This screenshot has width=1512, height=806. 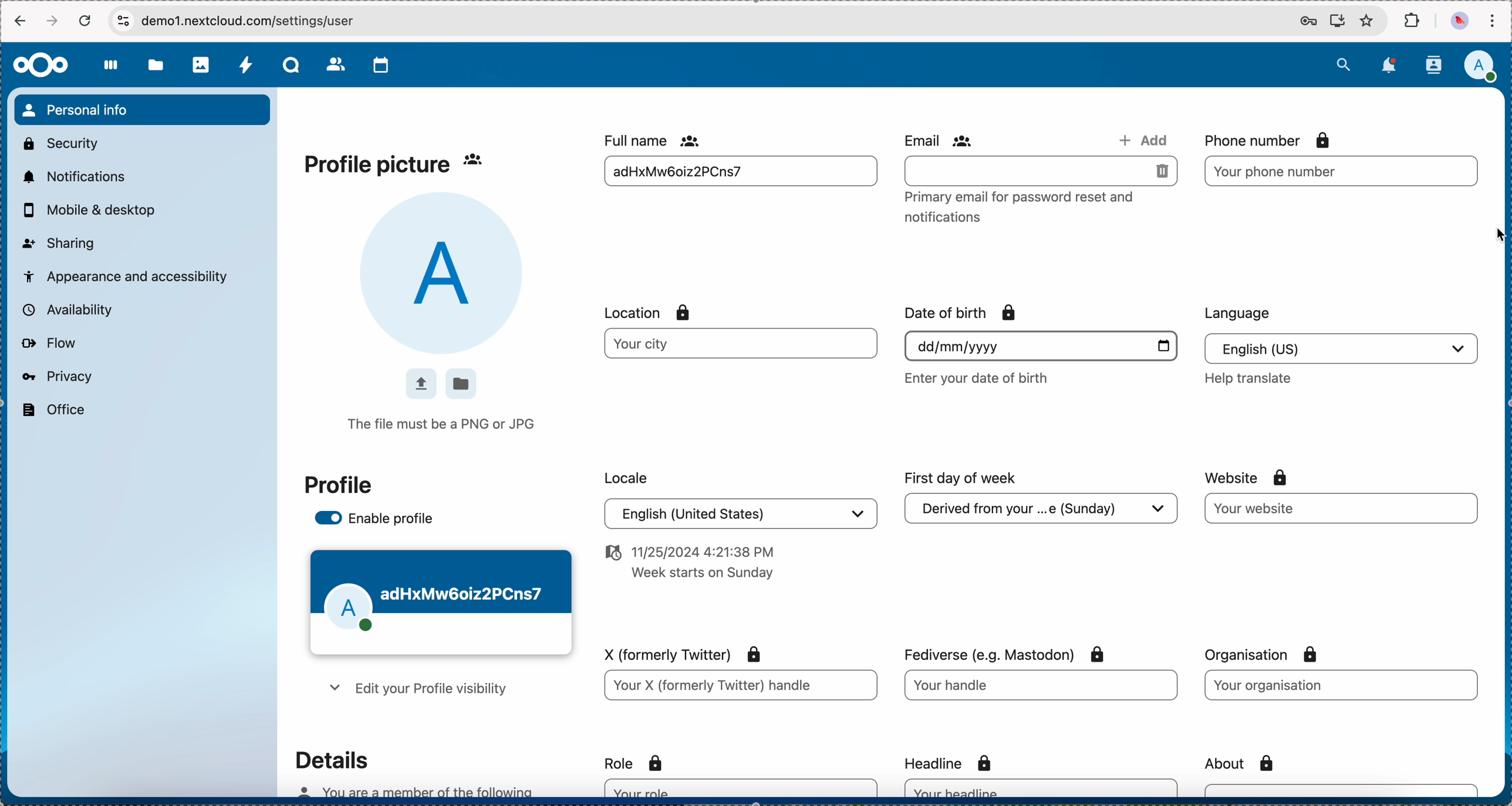 I want to click on customize and control Google Chrome, so click(x=1492, y=21).